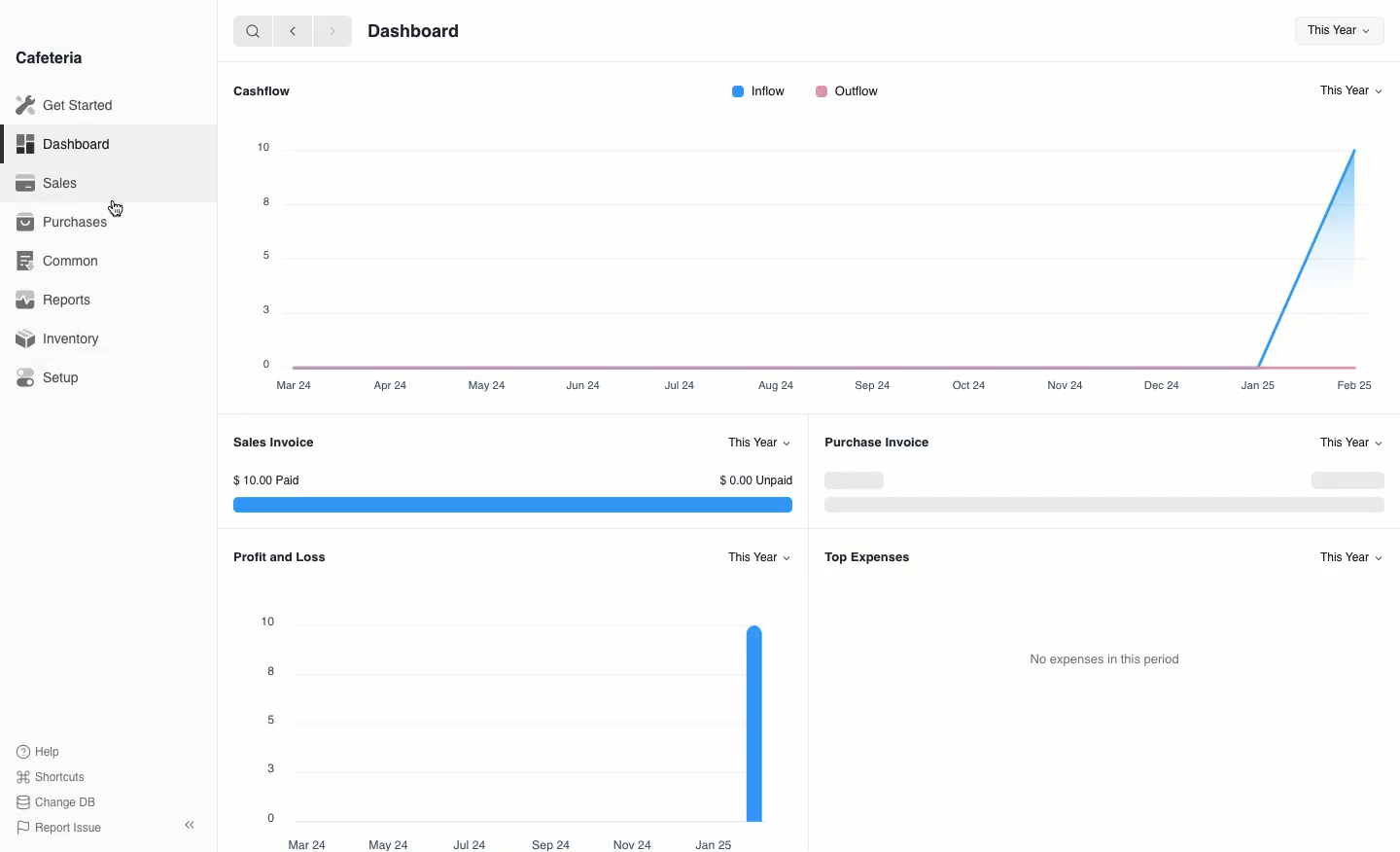  Describe the element at coordinates (53, 299) in the screenshot. I see `Reports` at that location.